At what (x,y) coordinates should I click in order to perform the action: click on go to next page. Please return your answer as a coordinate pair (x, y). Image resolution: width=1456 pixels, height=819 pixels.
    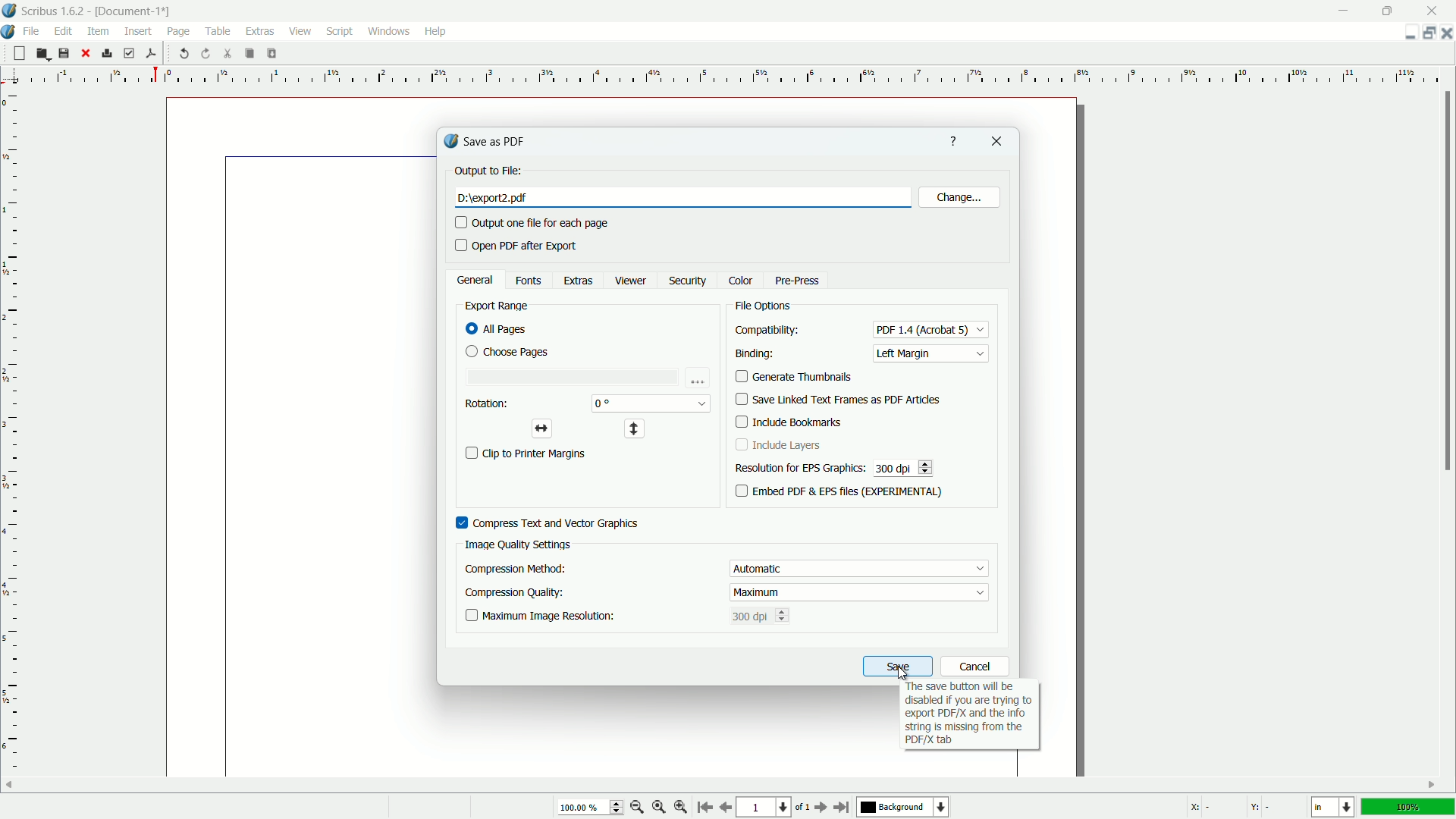
    Looking at the image, I should click on (821, 808).